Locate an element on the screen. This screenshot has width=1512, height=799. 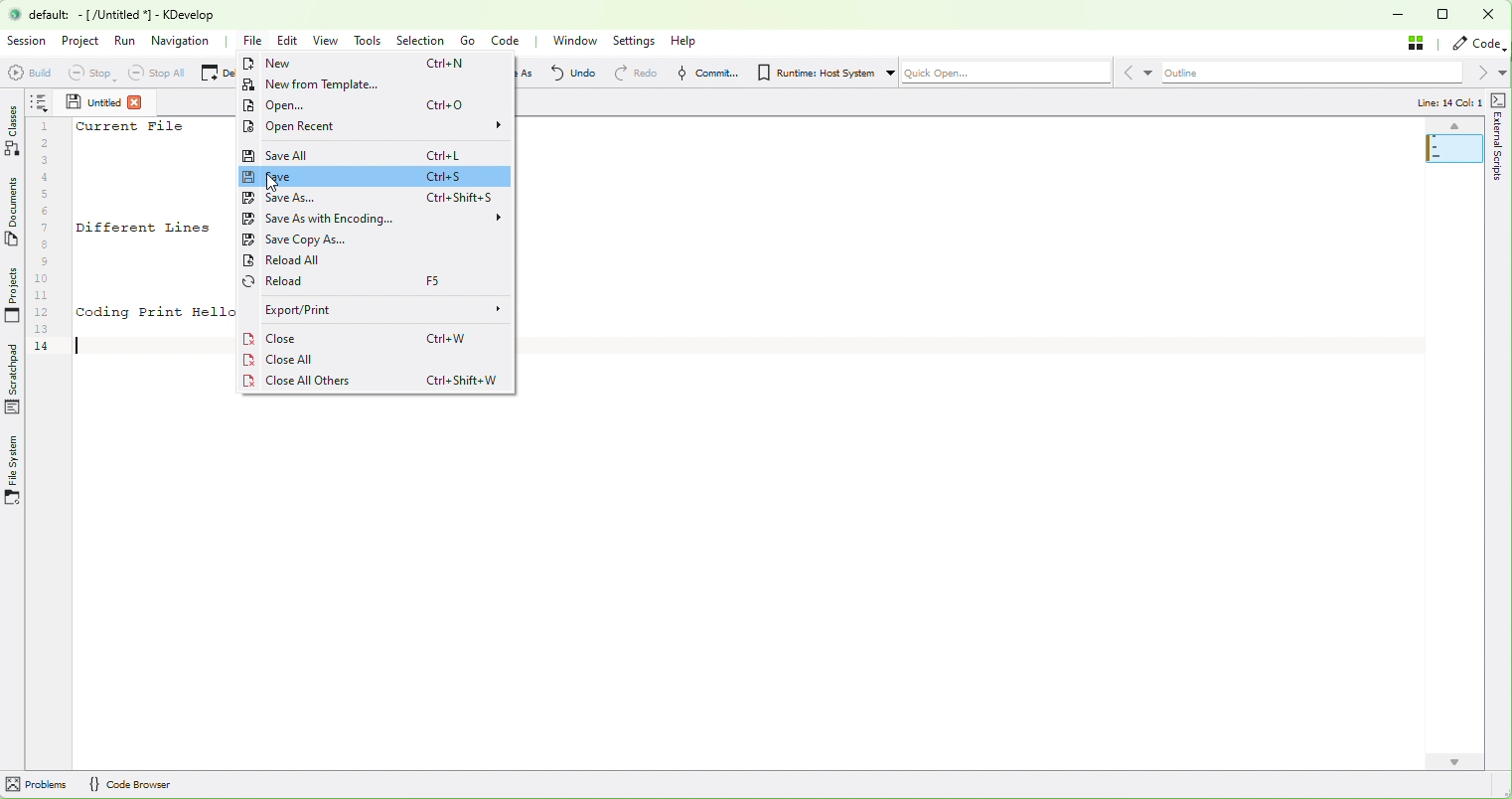
F5 is located at coordinates (436, 279).